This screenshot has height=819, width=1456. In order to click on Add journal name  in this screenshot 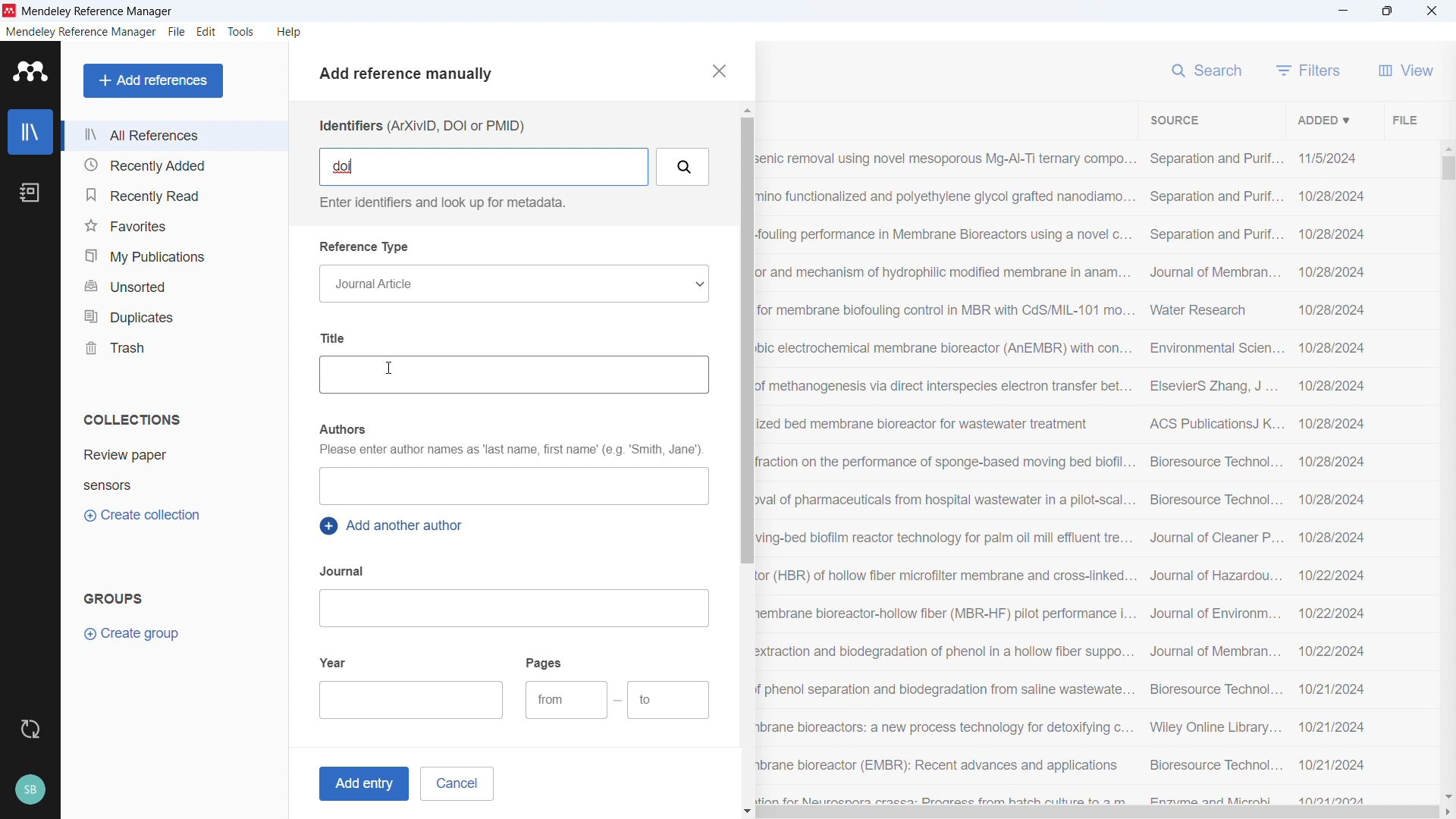, I will do `click(513, 608)`.